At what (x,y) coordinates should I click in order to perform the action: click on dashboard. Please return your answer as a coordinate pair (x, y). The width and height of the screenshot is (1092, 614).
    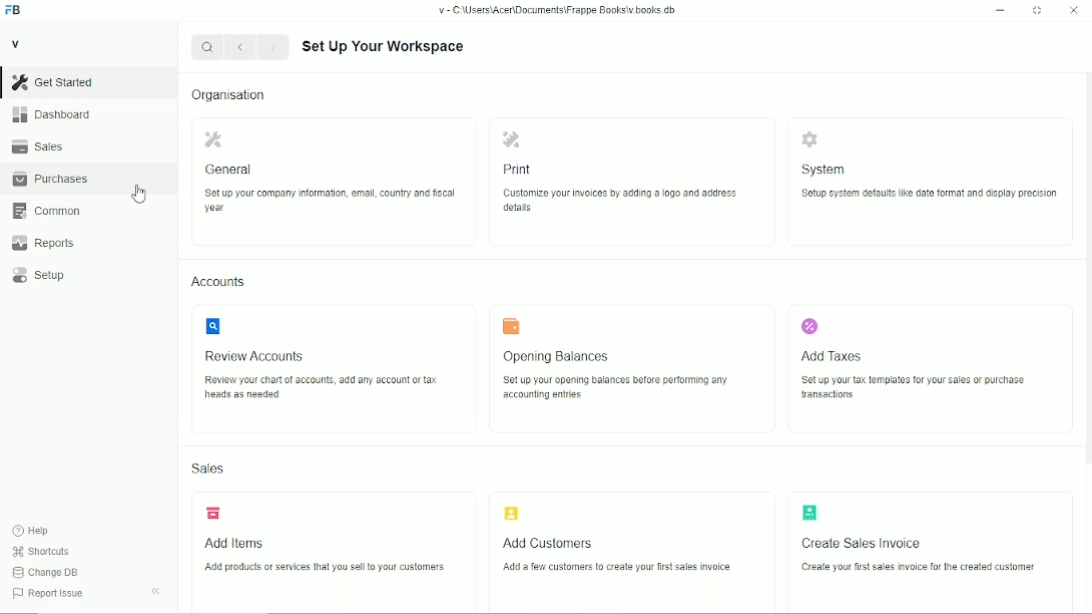
    Looking at the image, I should click on (54, 114).